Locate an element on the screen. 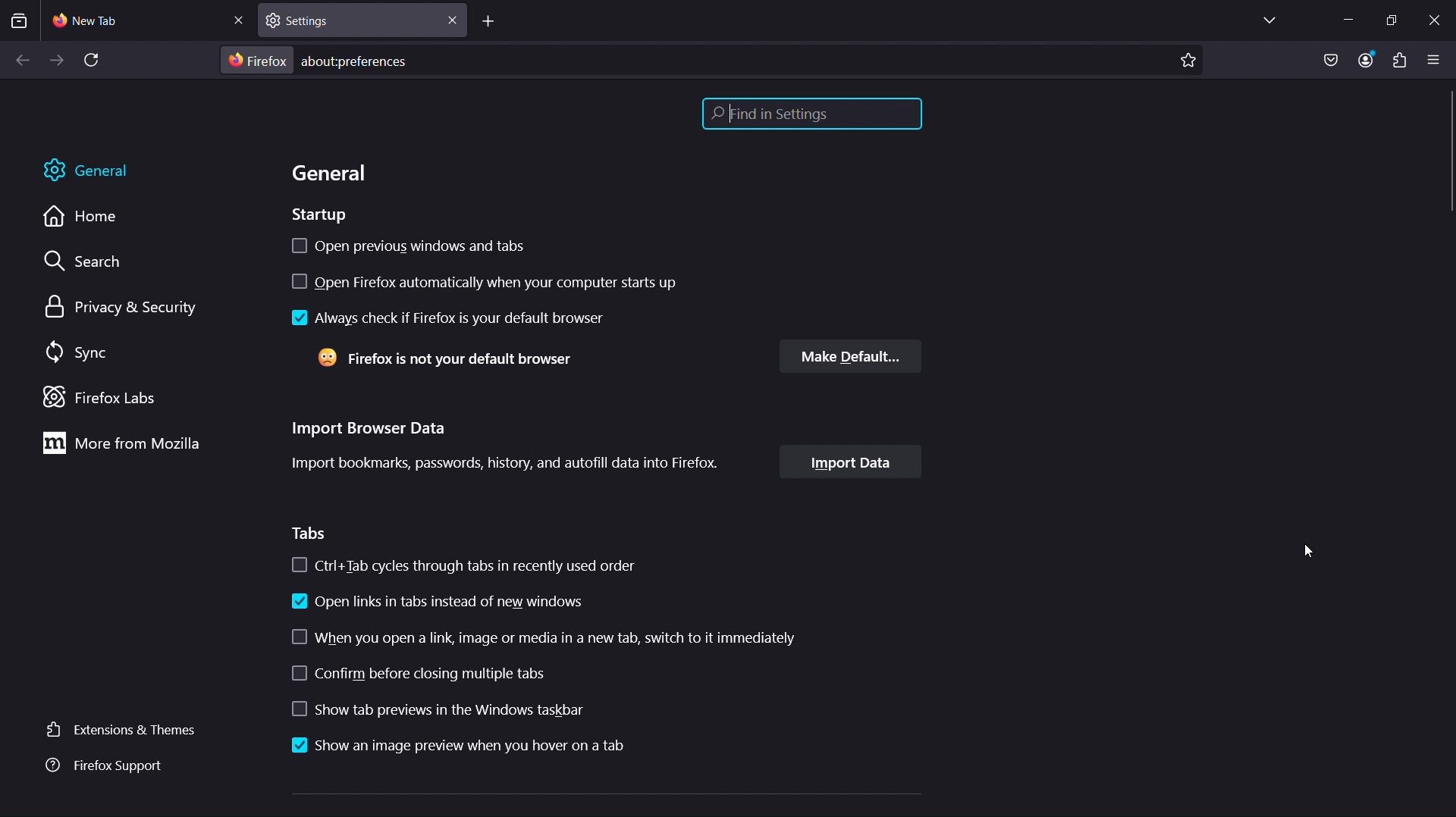 This screenshot has width=1456, height=817. Open previous windows and tabs is located at coordinates (409, 244).